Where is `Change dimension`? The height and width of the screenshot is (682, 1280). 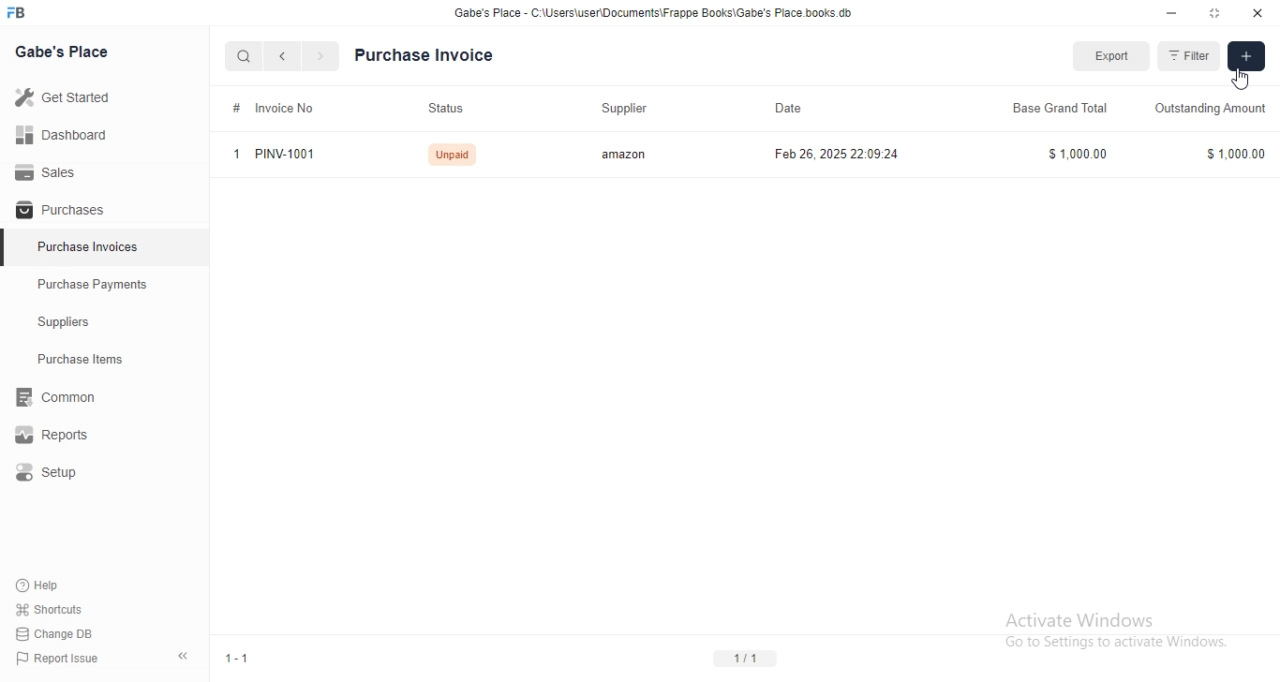
Change dimension is located at coordinates (1215, 13).